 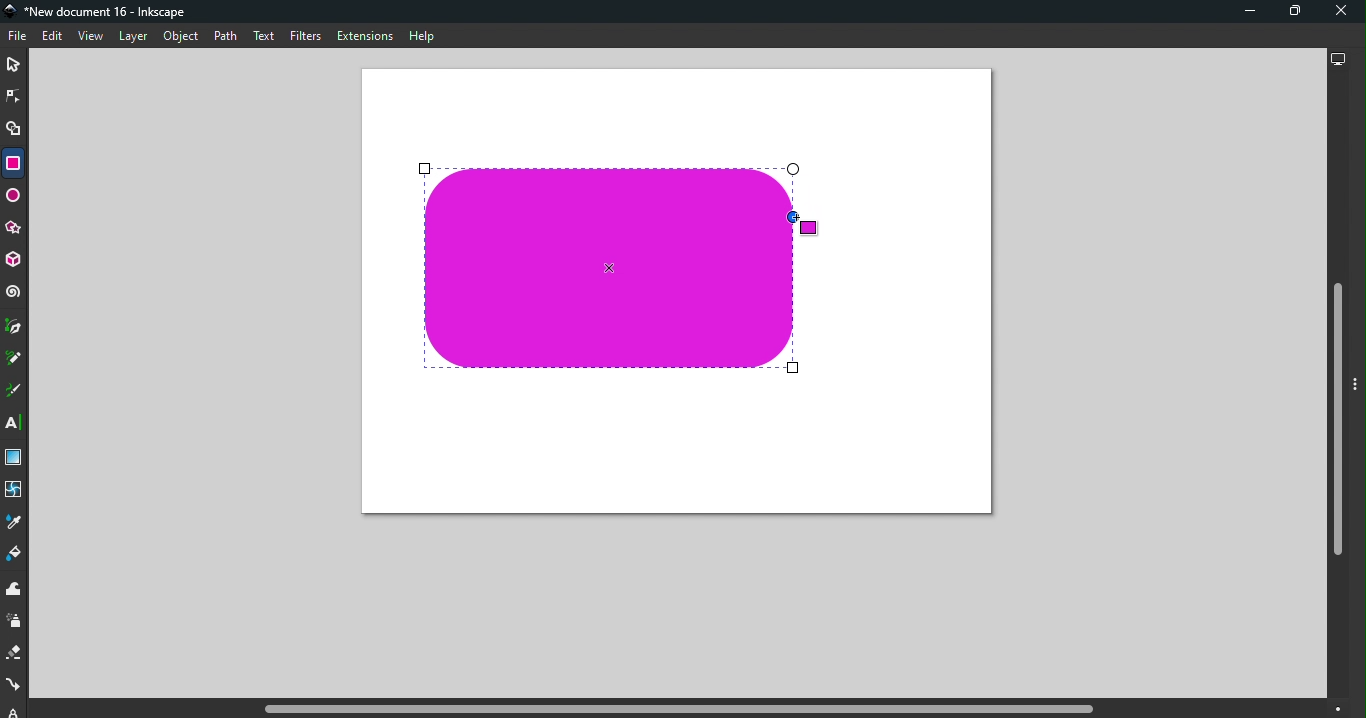 What do you see at coordinates (17, 622) in the screenshot?
I see `Spray tool` at bounding box center [17, 622].